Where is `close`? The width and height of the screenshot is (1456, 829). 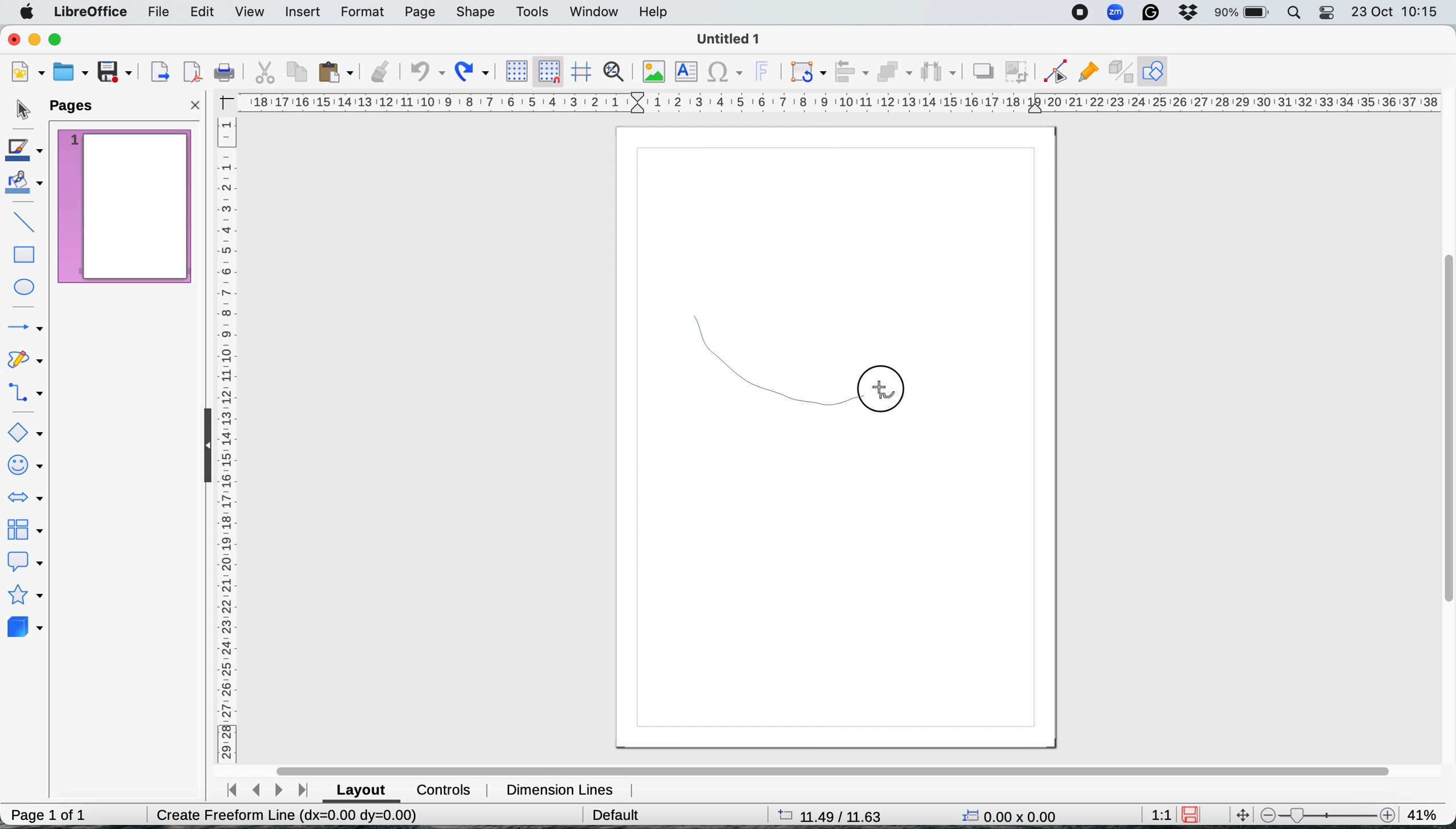 close is located at coordinates (14, 39).